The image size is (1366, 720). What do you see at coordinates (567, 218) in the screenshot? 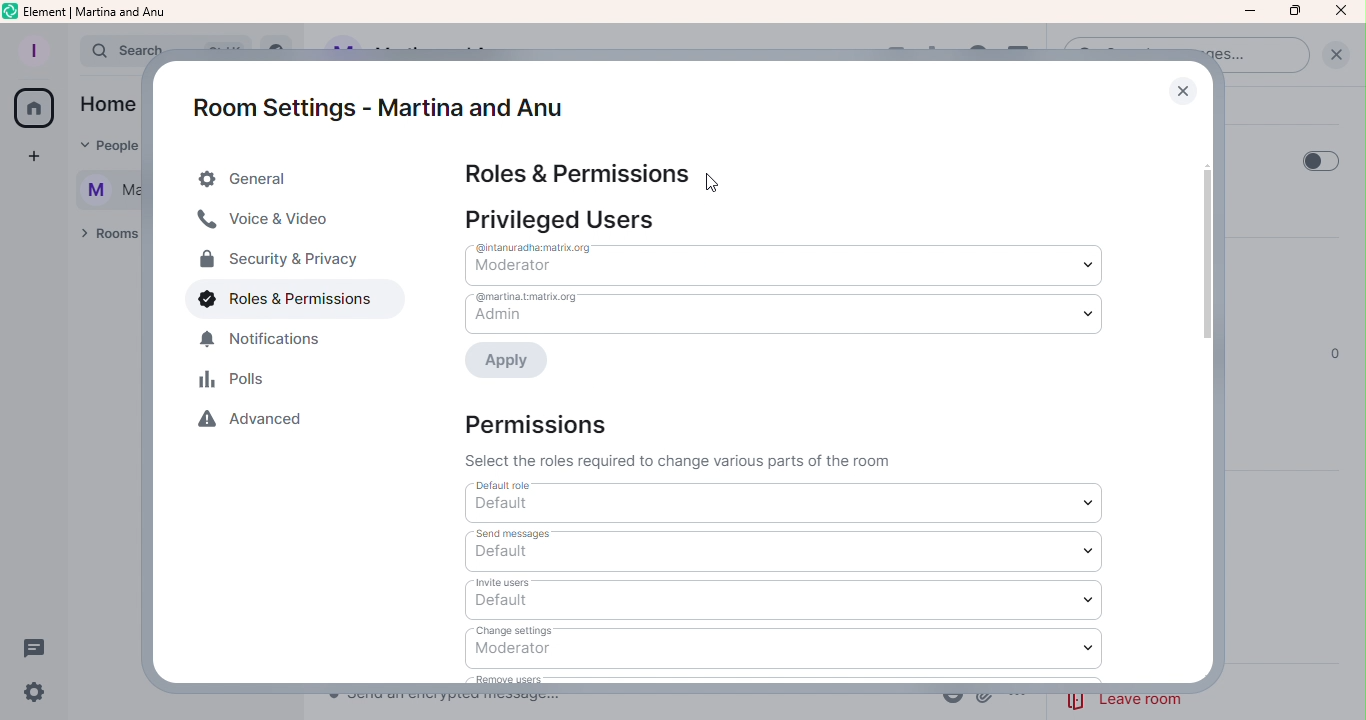
I see `Privileged users` at bounding box center [567, 218].